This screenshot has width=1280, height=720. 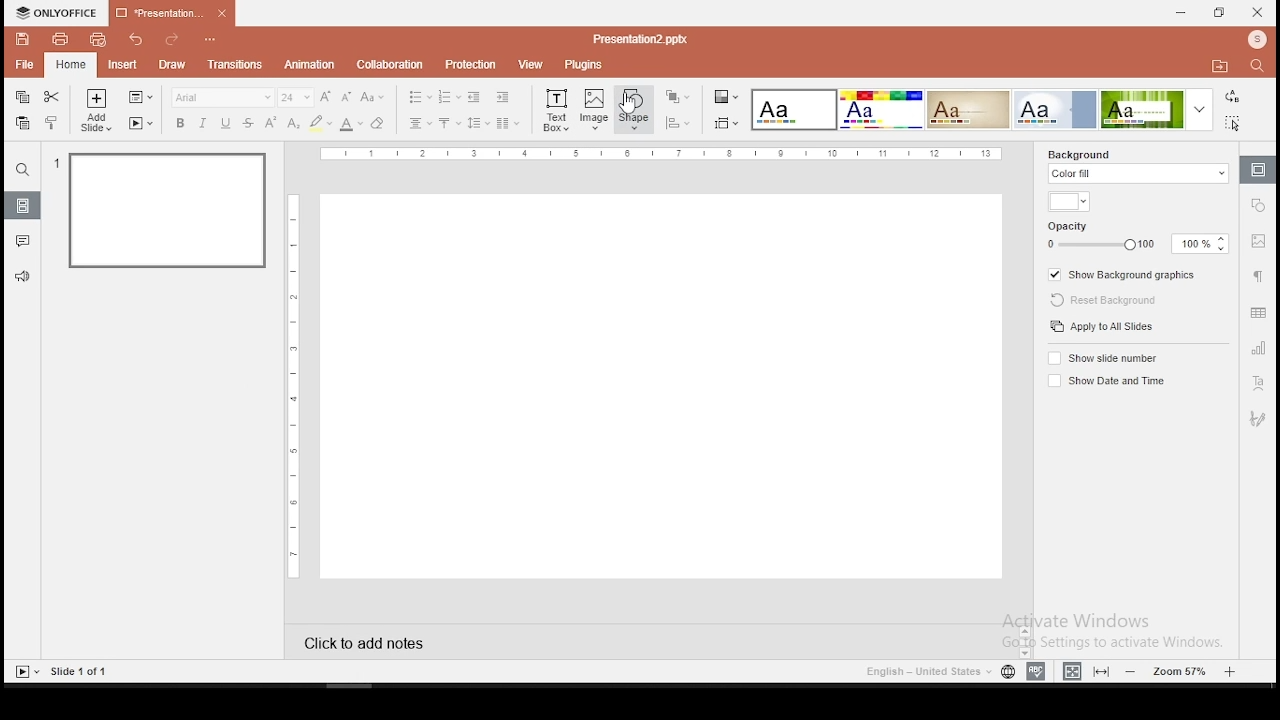 I want to click on transitions, so click(x=235, y=67).